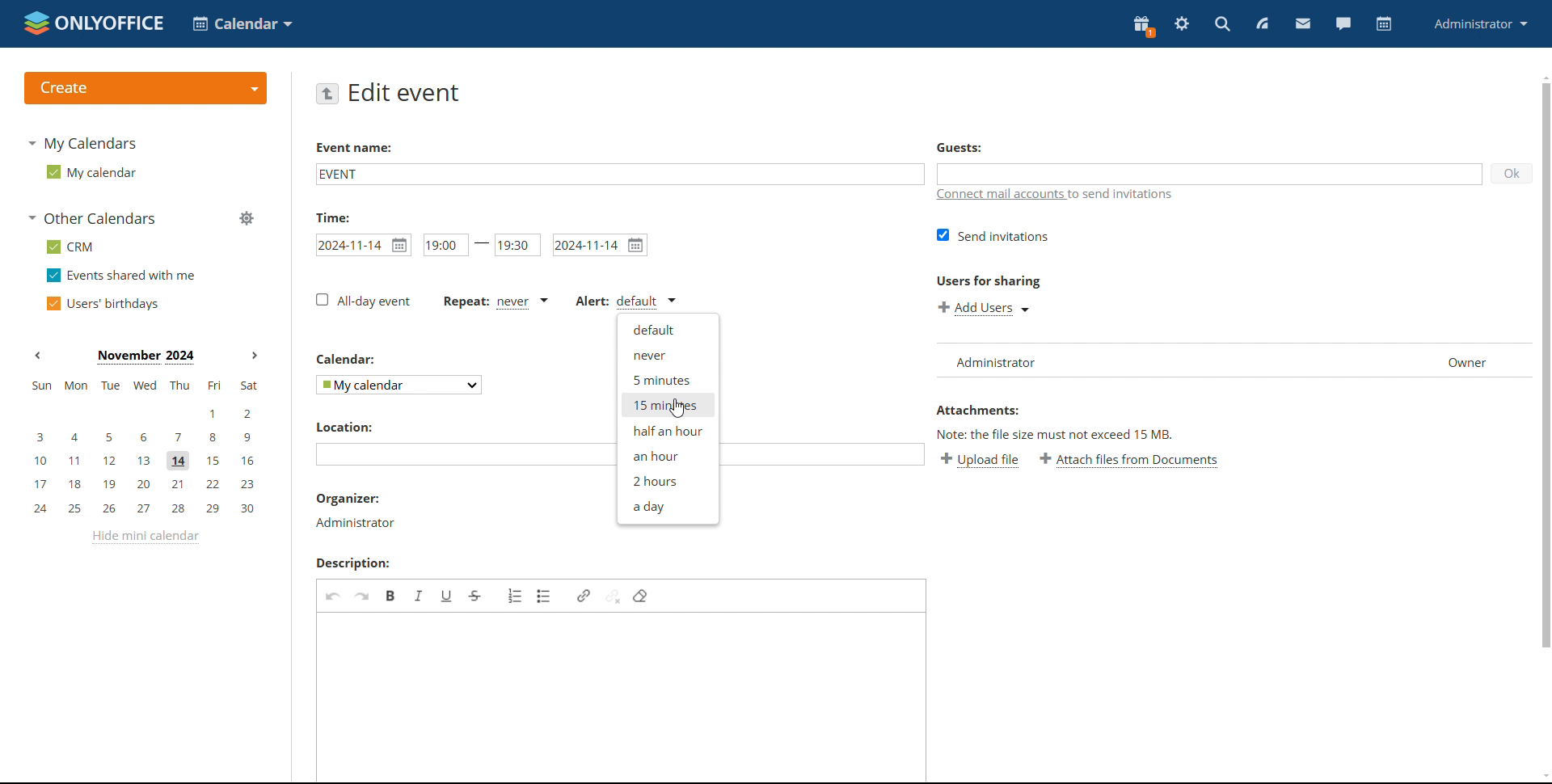 This screenshot has height=784, width=1552. I want to click on 15 minutes, so click(667, 405).